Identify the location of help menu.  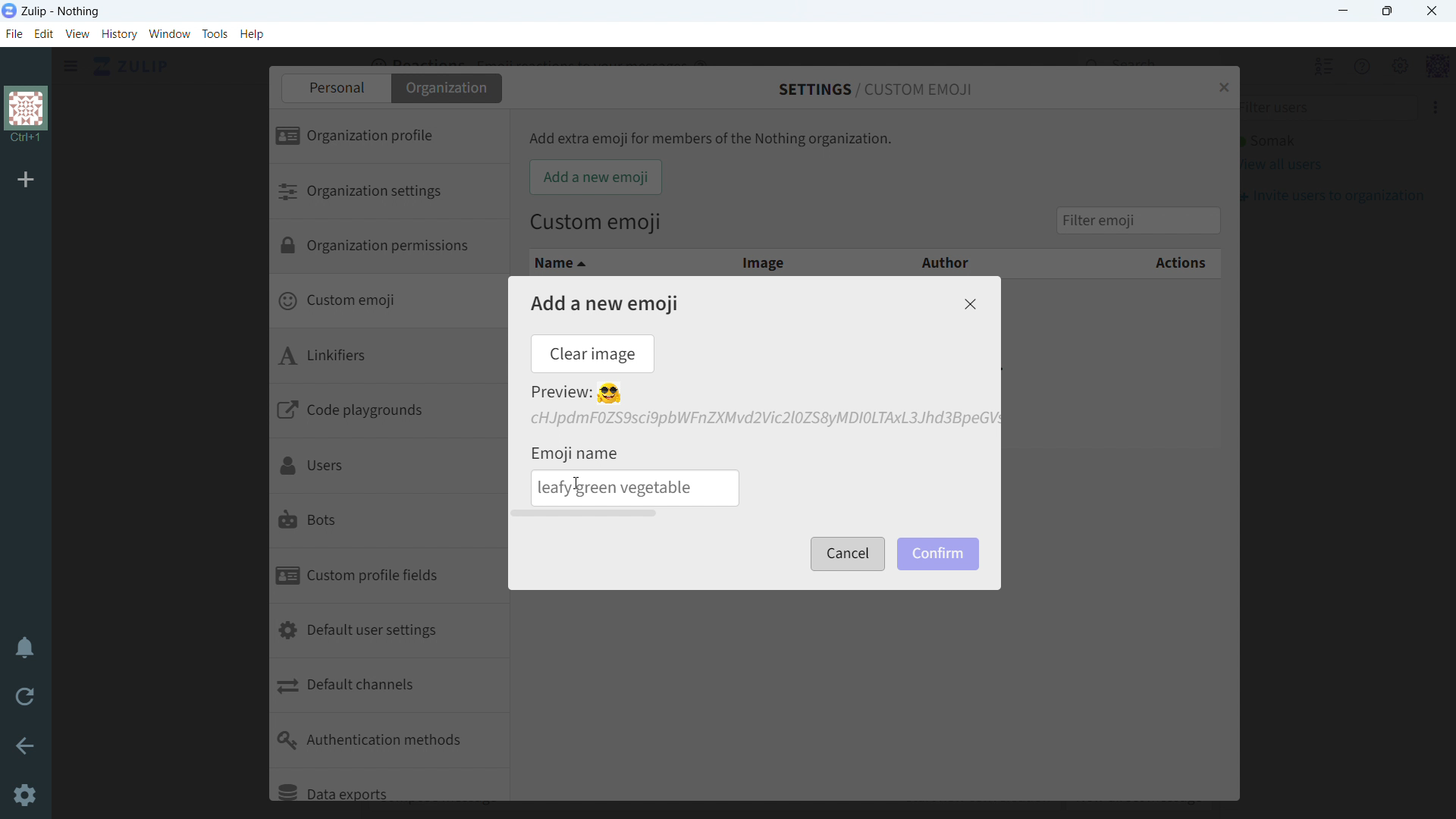
(1346, 66).